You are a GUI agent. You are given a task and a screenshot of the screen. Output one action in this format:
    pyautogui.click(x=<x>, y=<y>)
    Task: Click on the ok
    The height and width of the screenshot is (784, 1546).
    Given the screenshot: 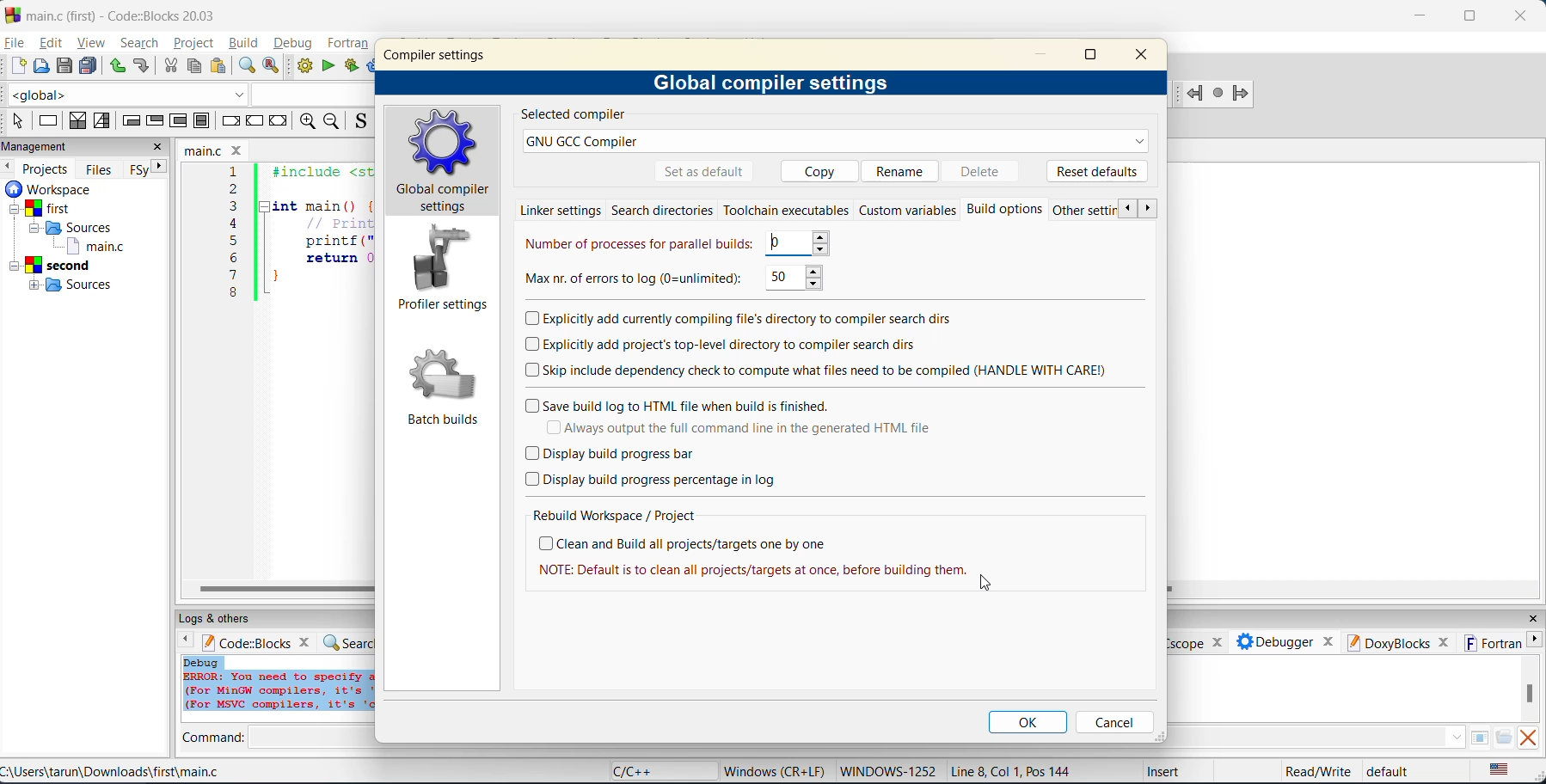 What is the action you would take?
    pyautogui.click(x=1030, y=722)
    